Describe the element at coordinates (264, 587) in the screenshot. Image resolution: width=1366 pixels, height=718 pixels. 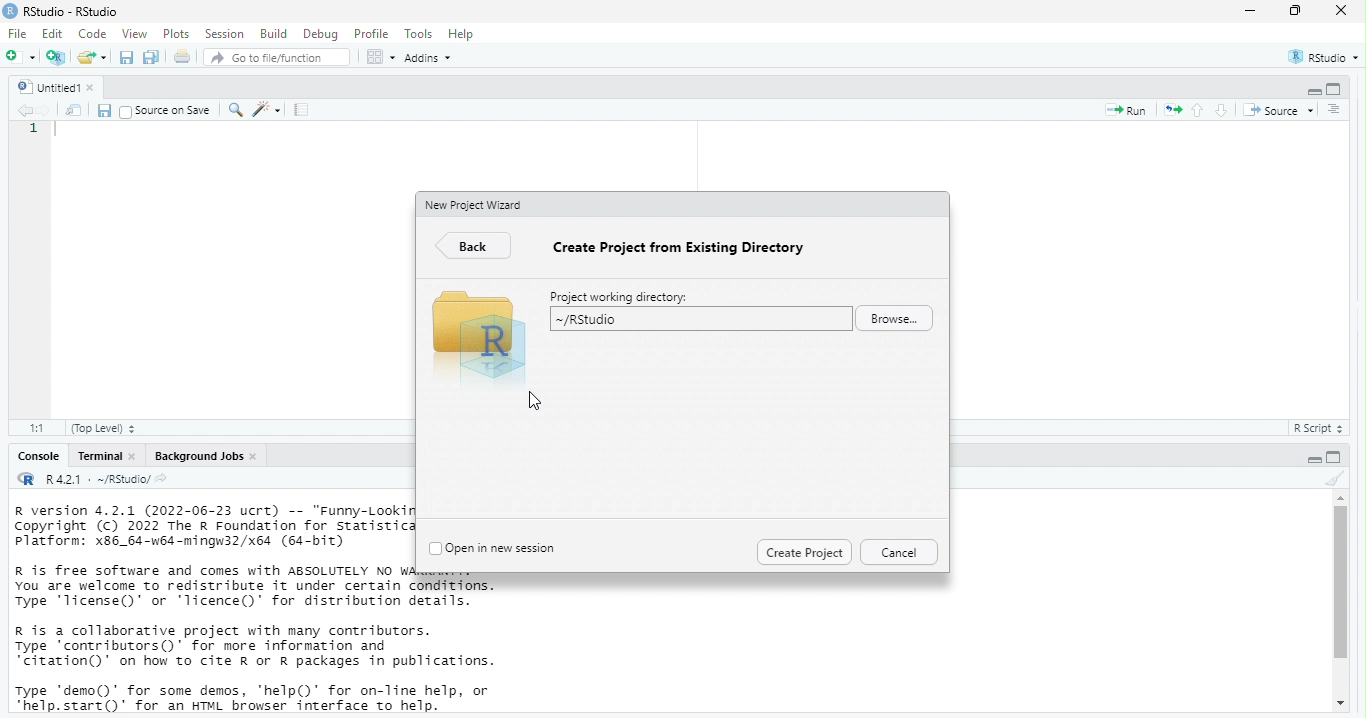
I see `information about R and it's license` at that location.